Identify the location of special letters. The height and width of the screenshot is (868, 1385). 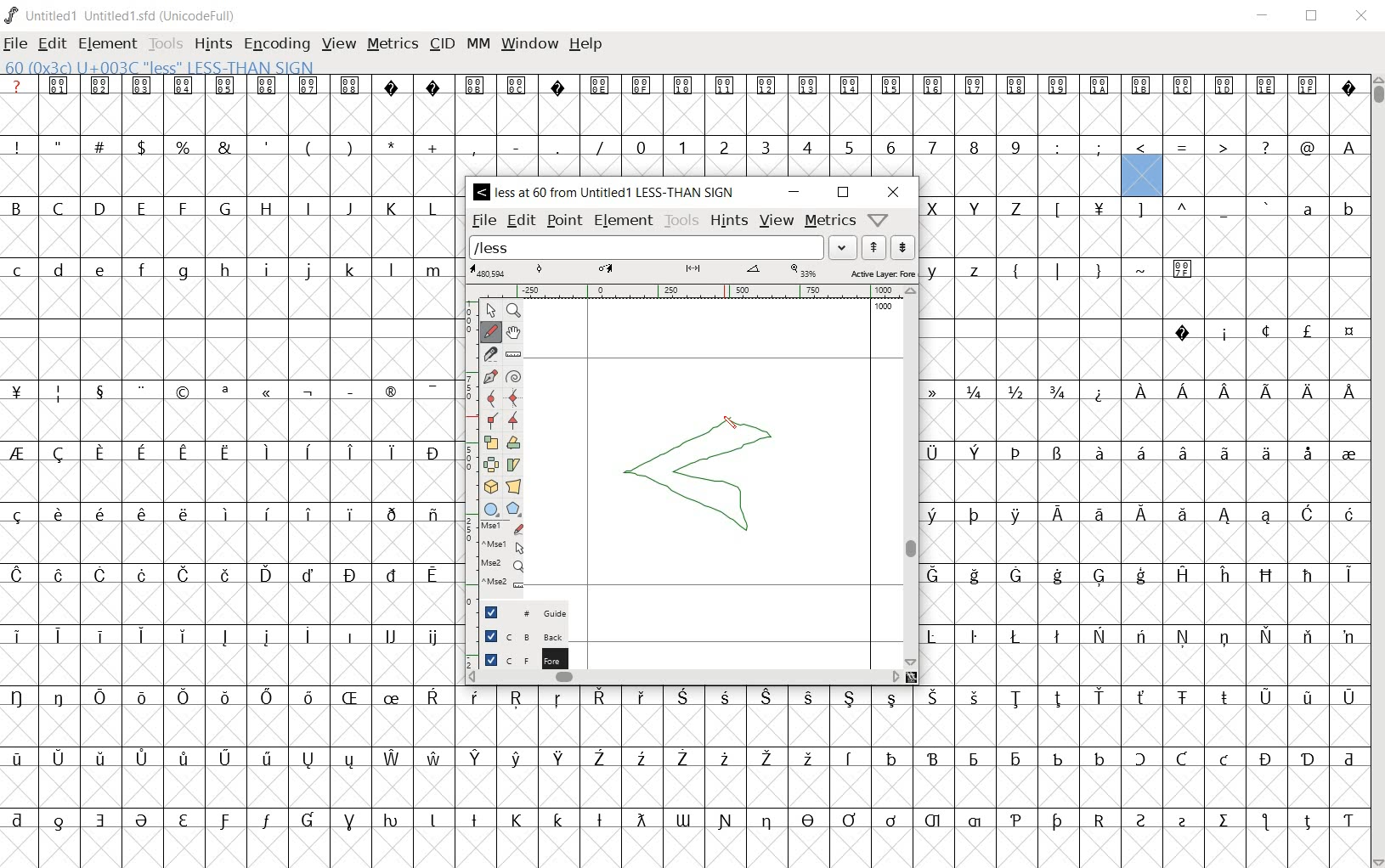
(687, 818).